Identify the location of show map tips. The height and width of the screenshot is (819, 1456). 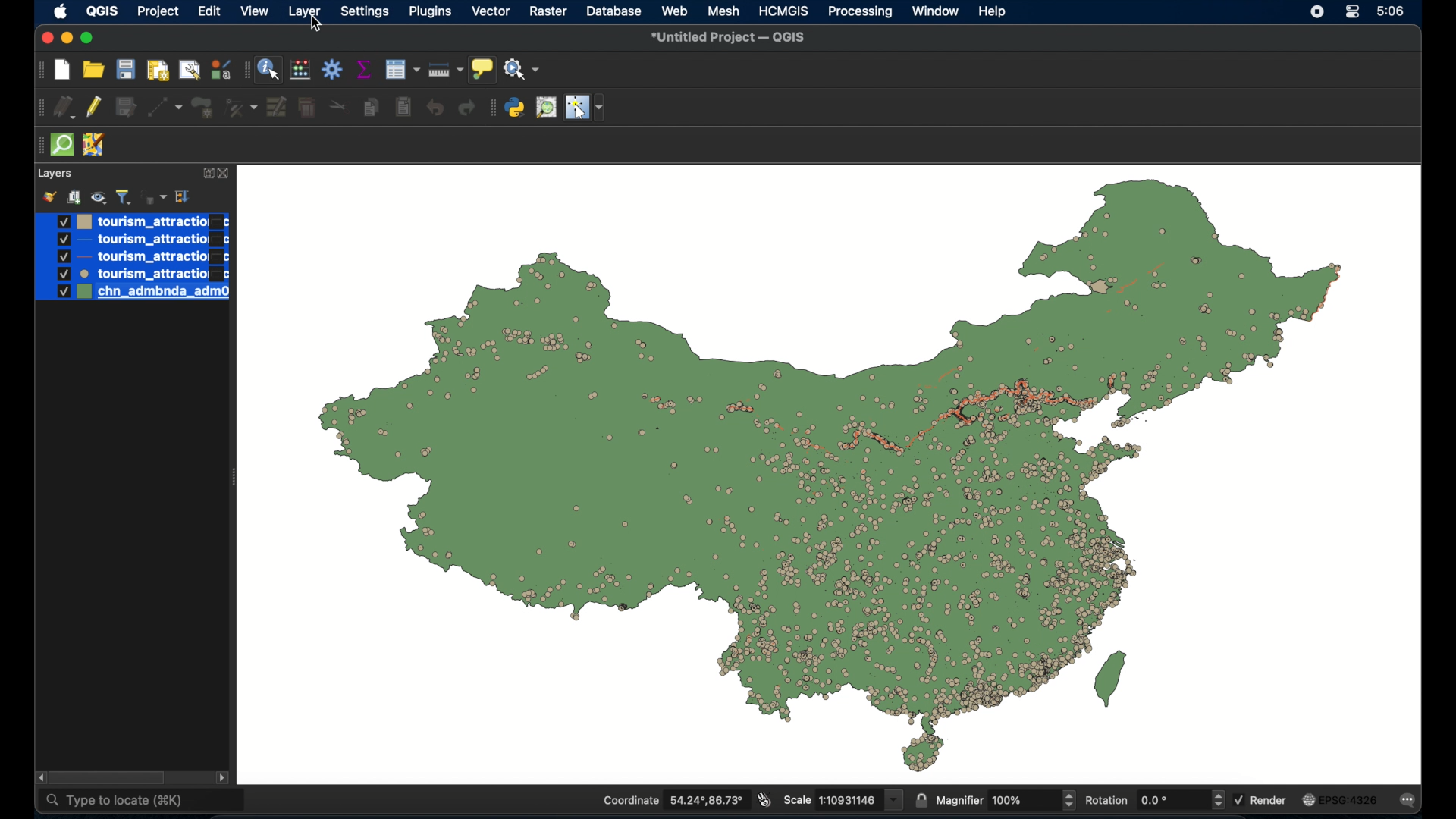
(483, 69).